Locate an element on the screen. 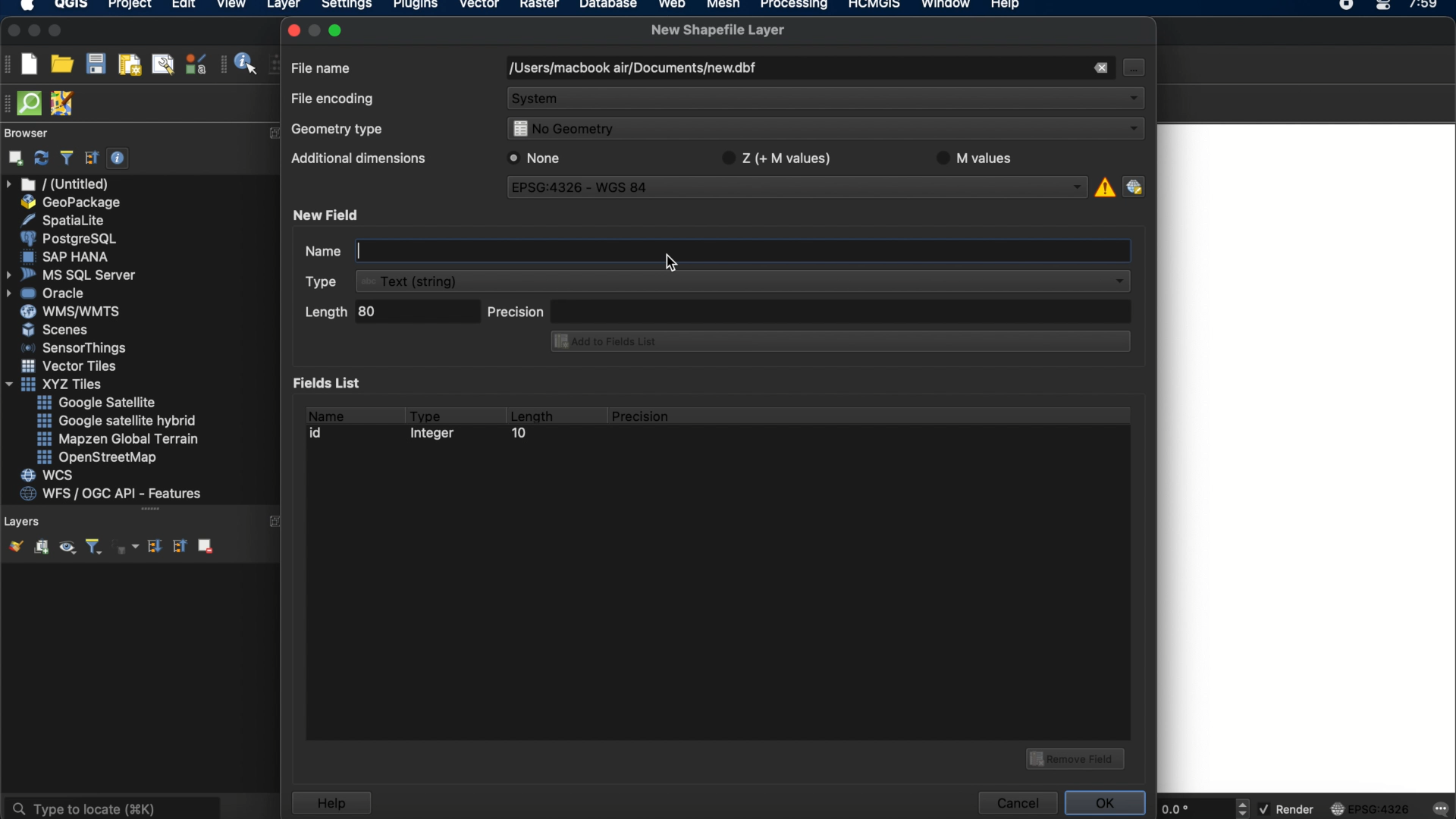 The width and height of the screenshot is (1456, 819). © None is located at coordinates (535, 158).